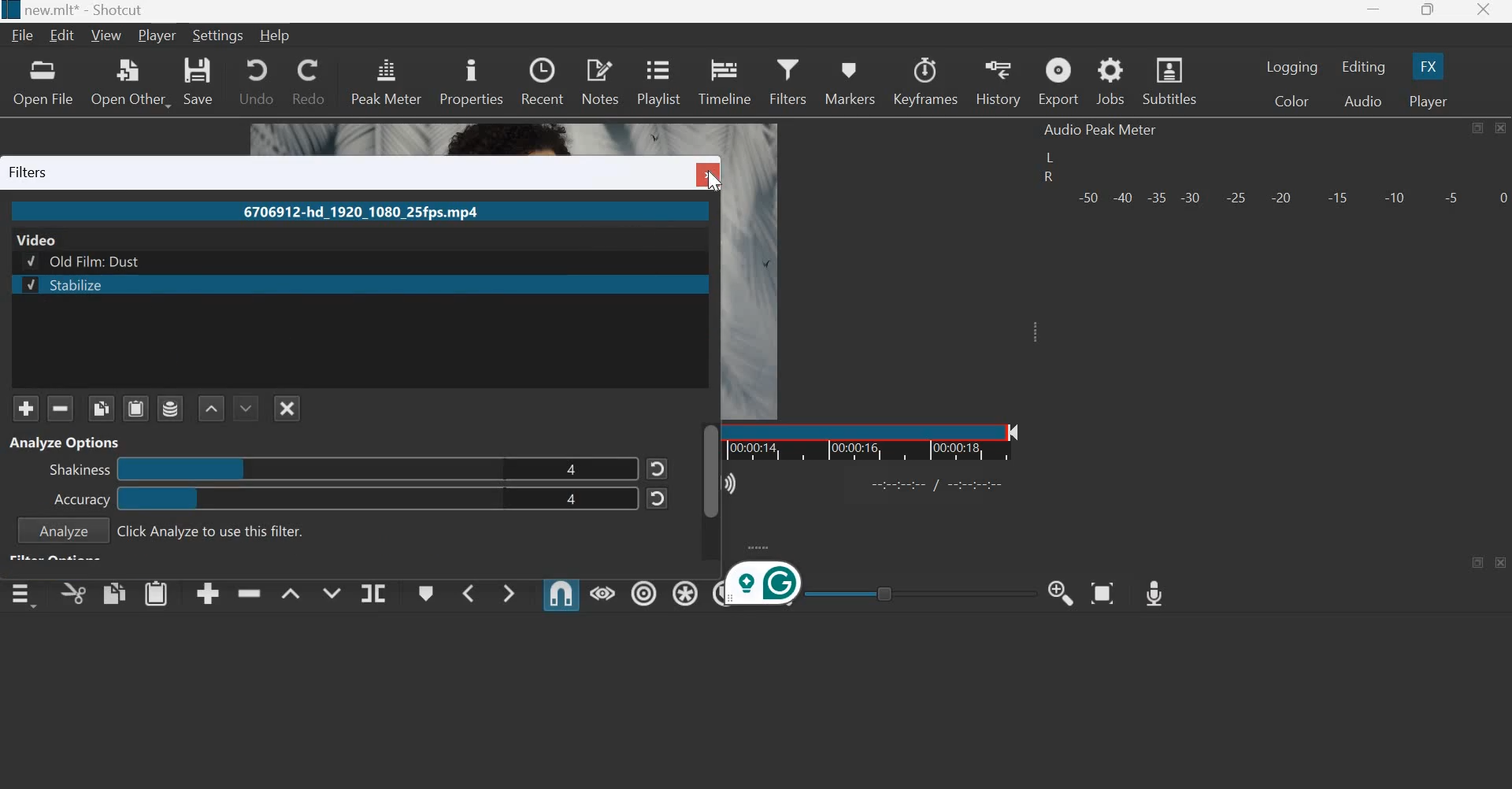 The image size is (1512, 789). I want to click on in point, so click(940, 487).